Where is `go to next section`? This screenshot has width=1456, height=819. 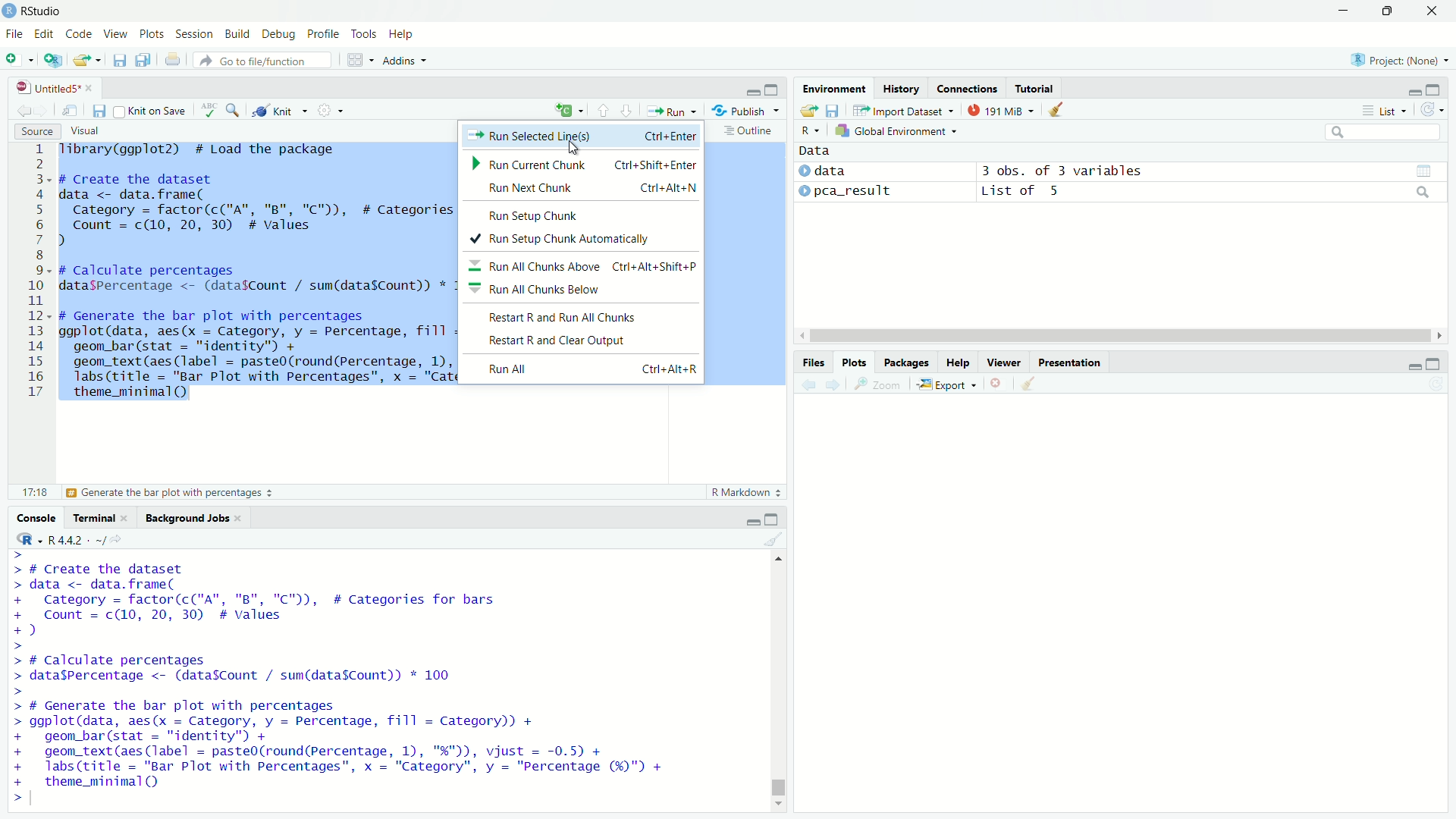 go to next section is located at coordinates (626, 111).